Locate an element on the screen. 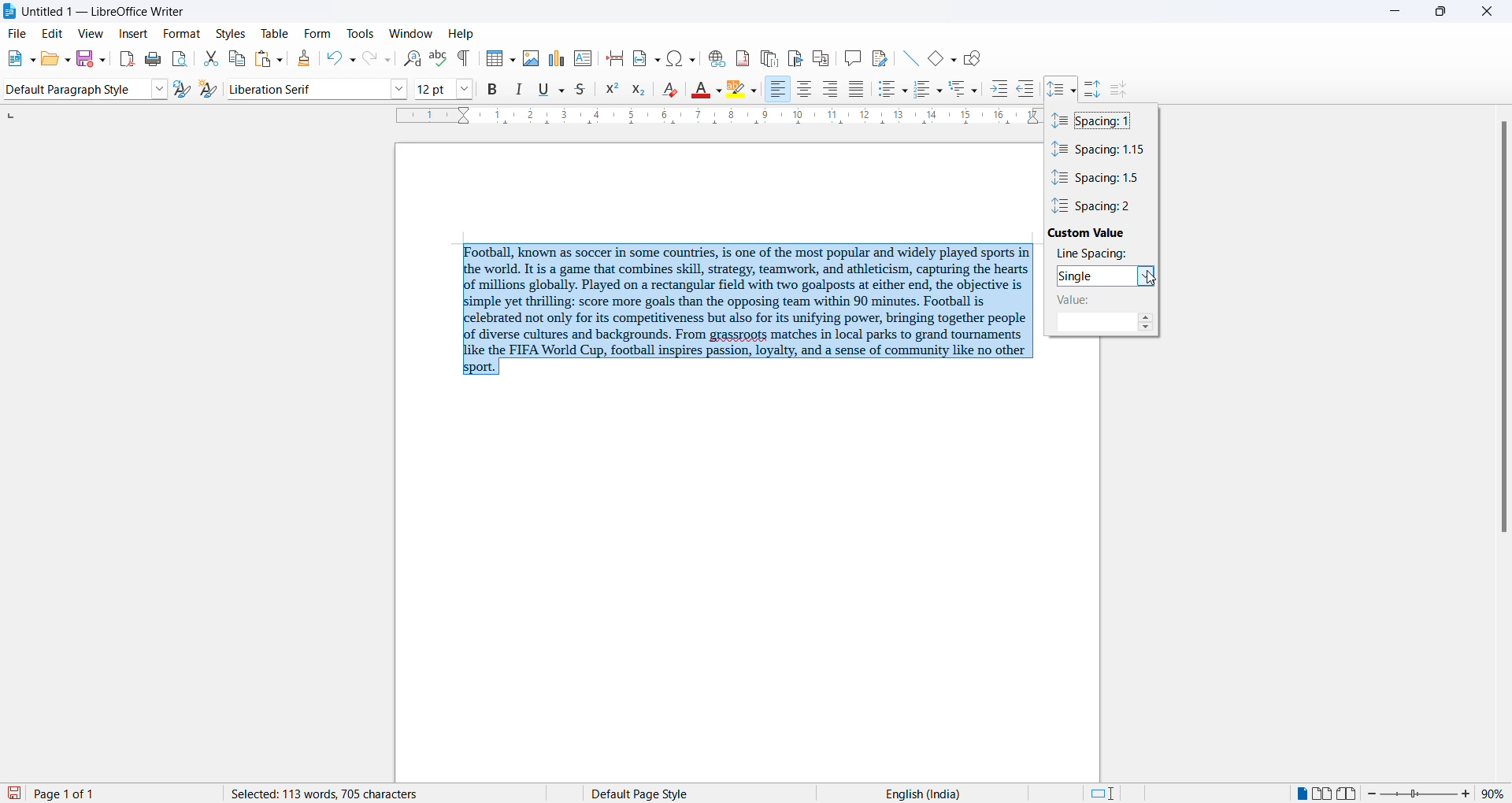  text align right is located at coordinates (778, 90).